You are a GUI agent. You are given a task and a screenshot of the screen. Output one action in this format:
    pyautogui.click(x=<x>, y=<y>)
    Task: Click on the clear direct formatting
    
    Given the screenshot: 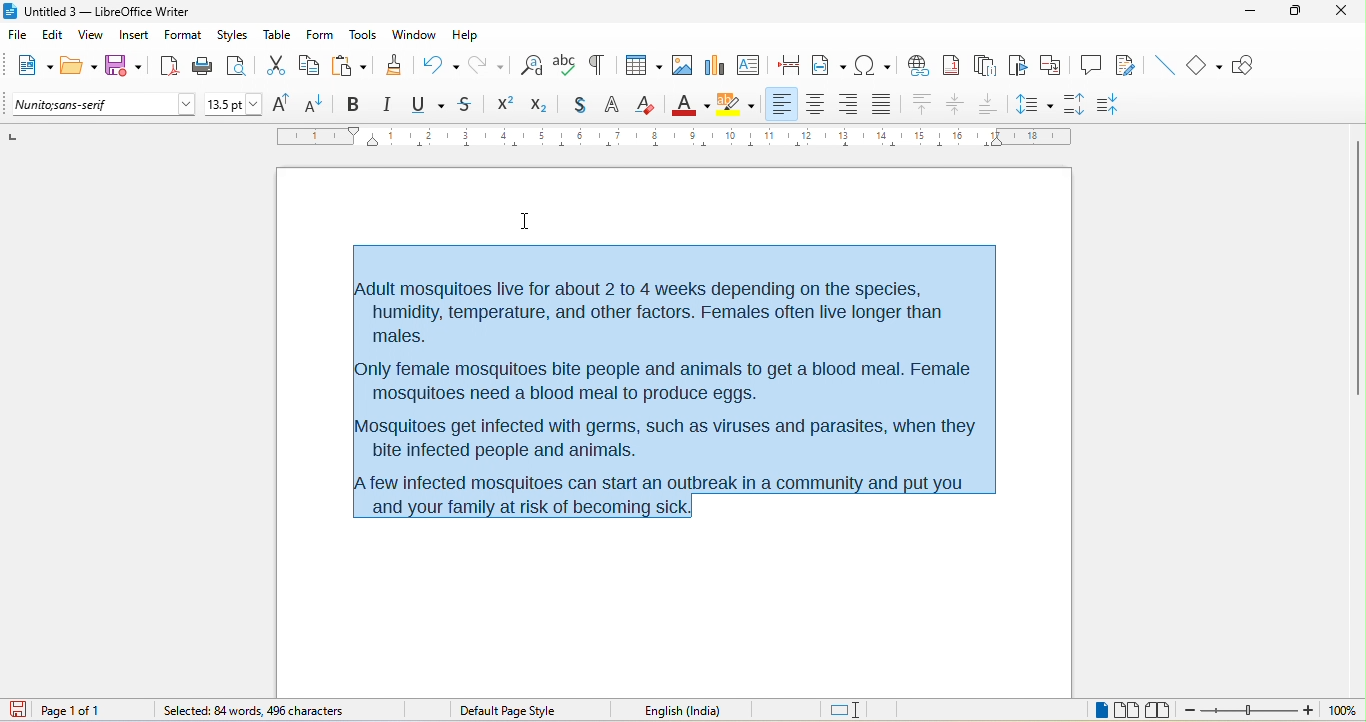 What is the action you would take?
    pyautogui.click(x=646, y=104)
    